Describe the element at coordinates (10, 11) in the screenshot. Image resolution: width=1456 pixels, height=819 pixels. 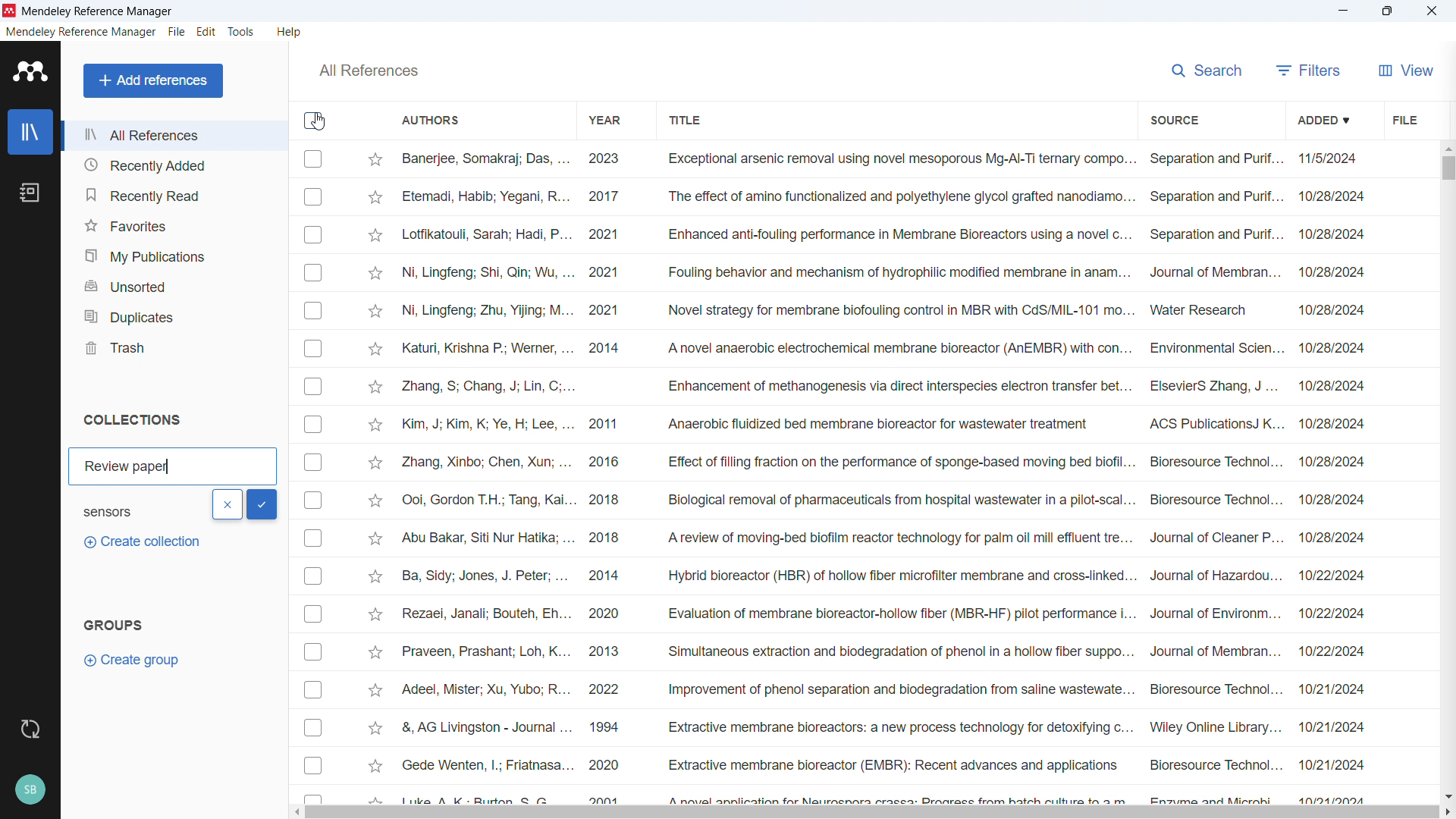
I see `Software logo` at that location.